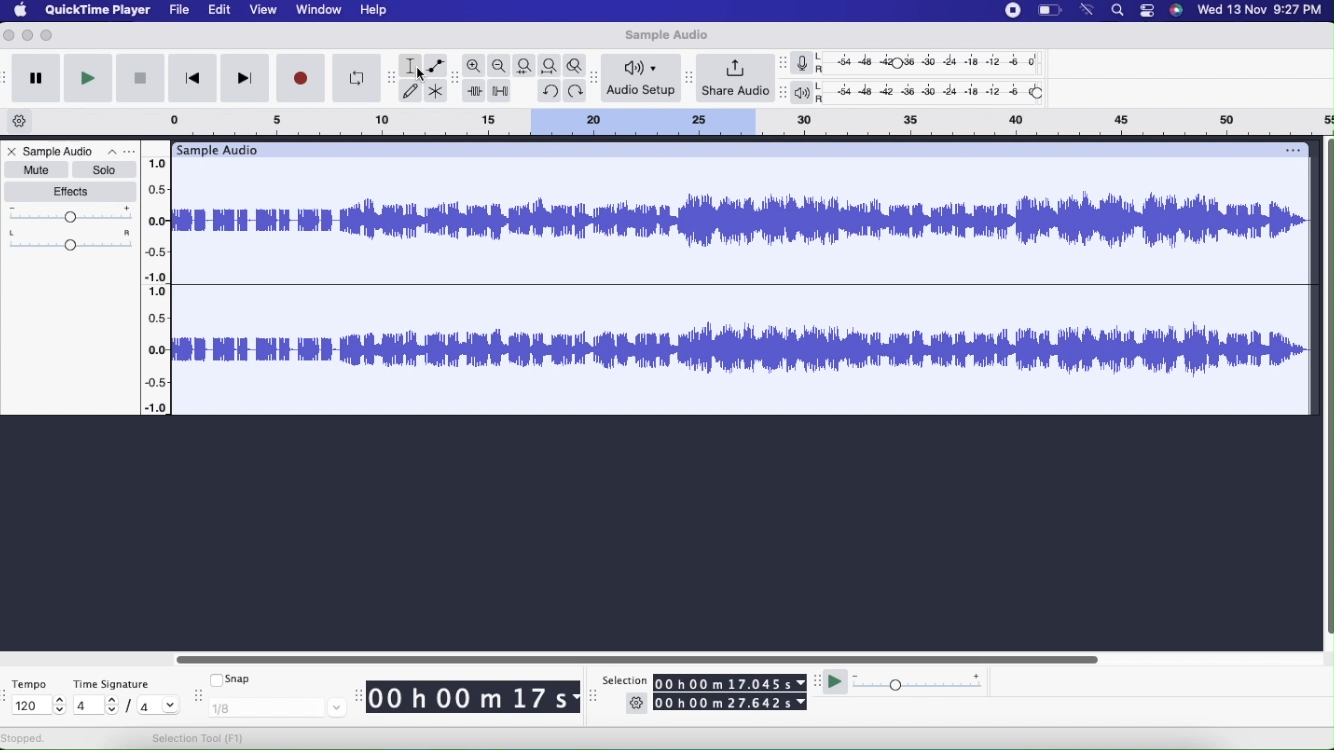  Describe the element at coordinates (73, 192) in the screenshot. I see `Effects` at that location.